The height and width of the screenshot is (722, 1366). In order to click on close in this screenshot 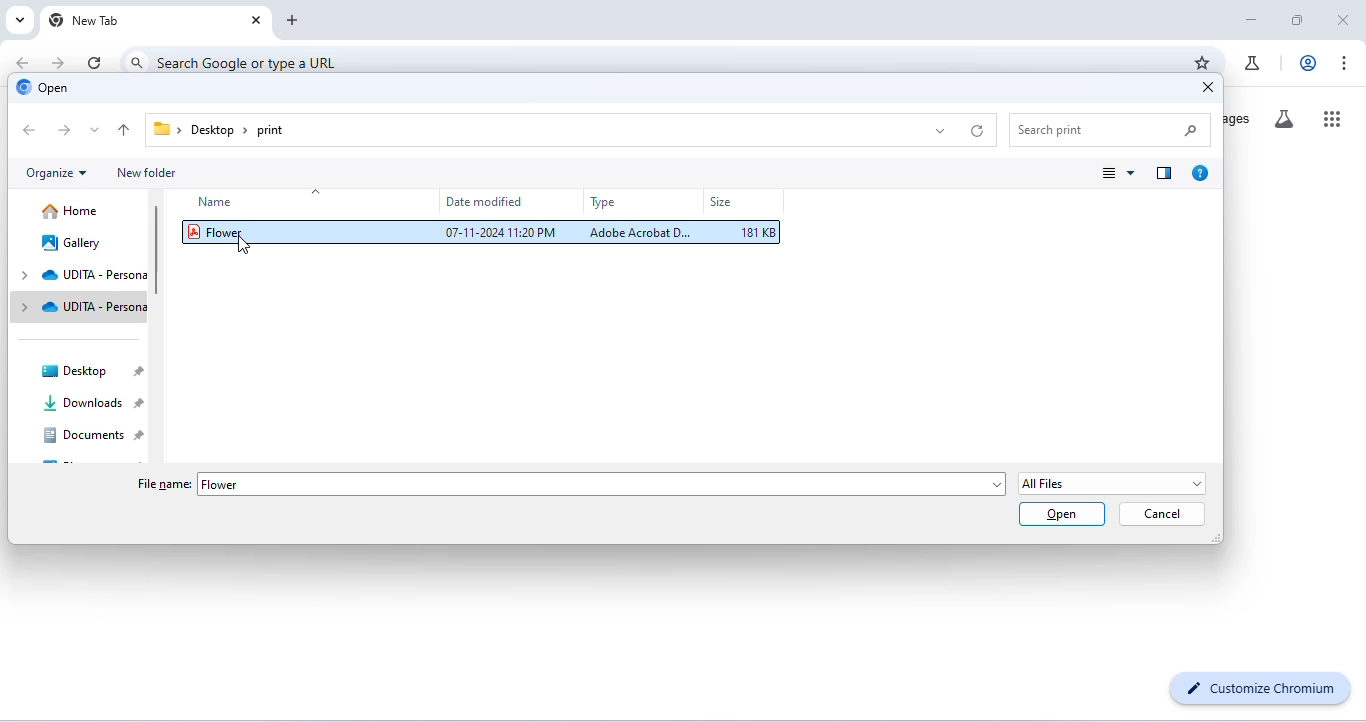, I will do `click(1208, 88)`.